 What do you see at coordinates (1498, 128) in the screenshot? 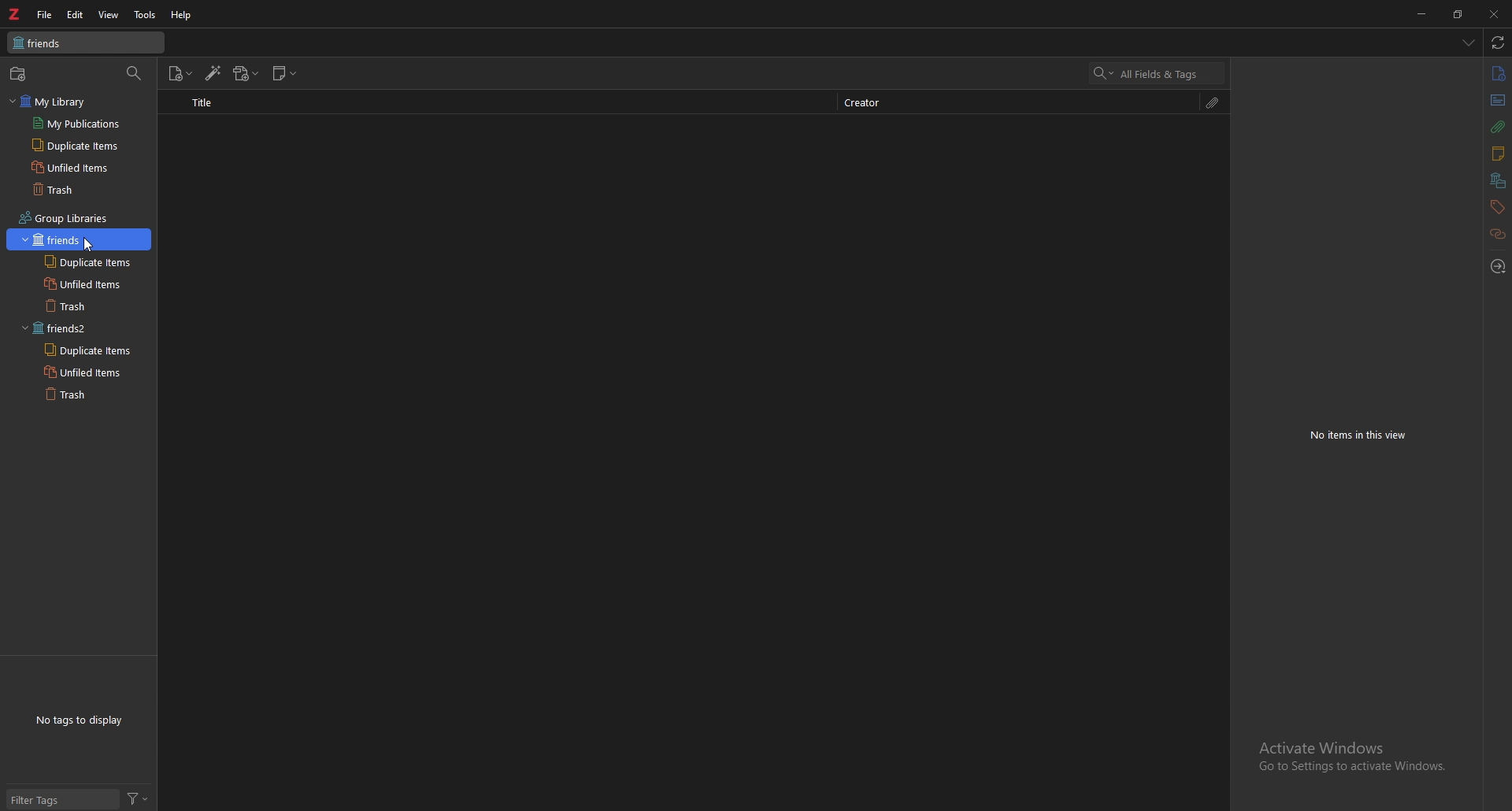
I see `attachments` at bounding box center [1498, 128].